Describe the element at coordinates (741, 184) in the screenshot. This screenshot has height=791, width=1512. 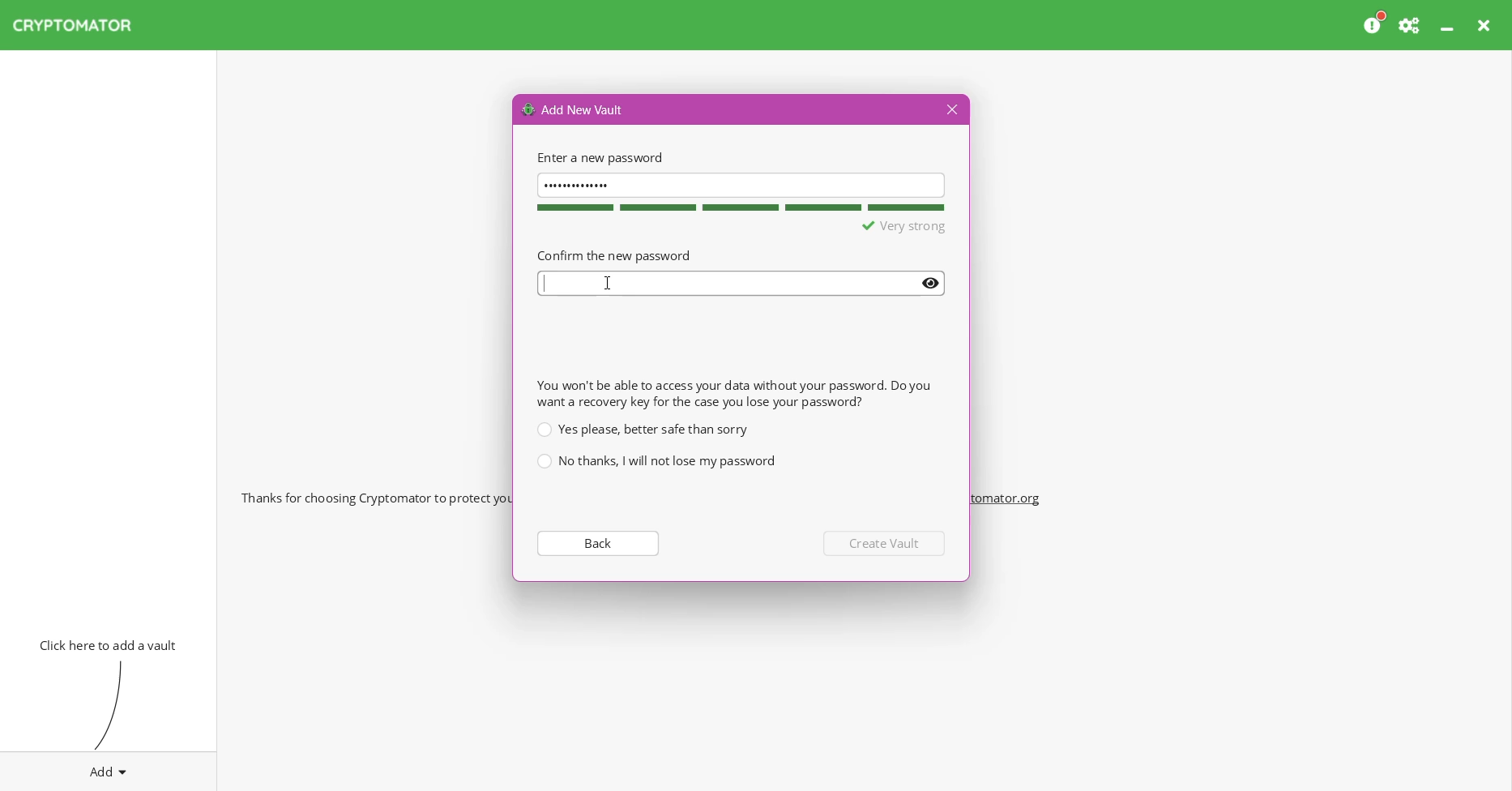
I see `Enter a new password` at that location.